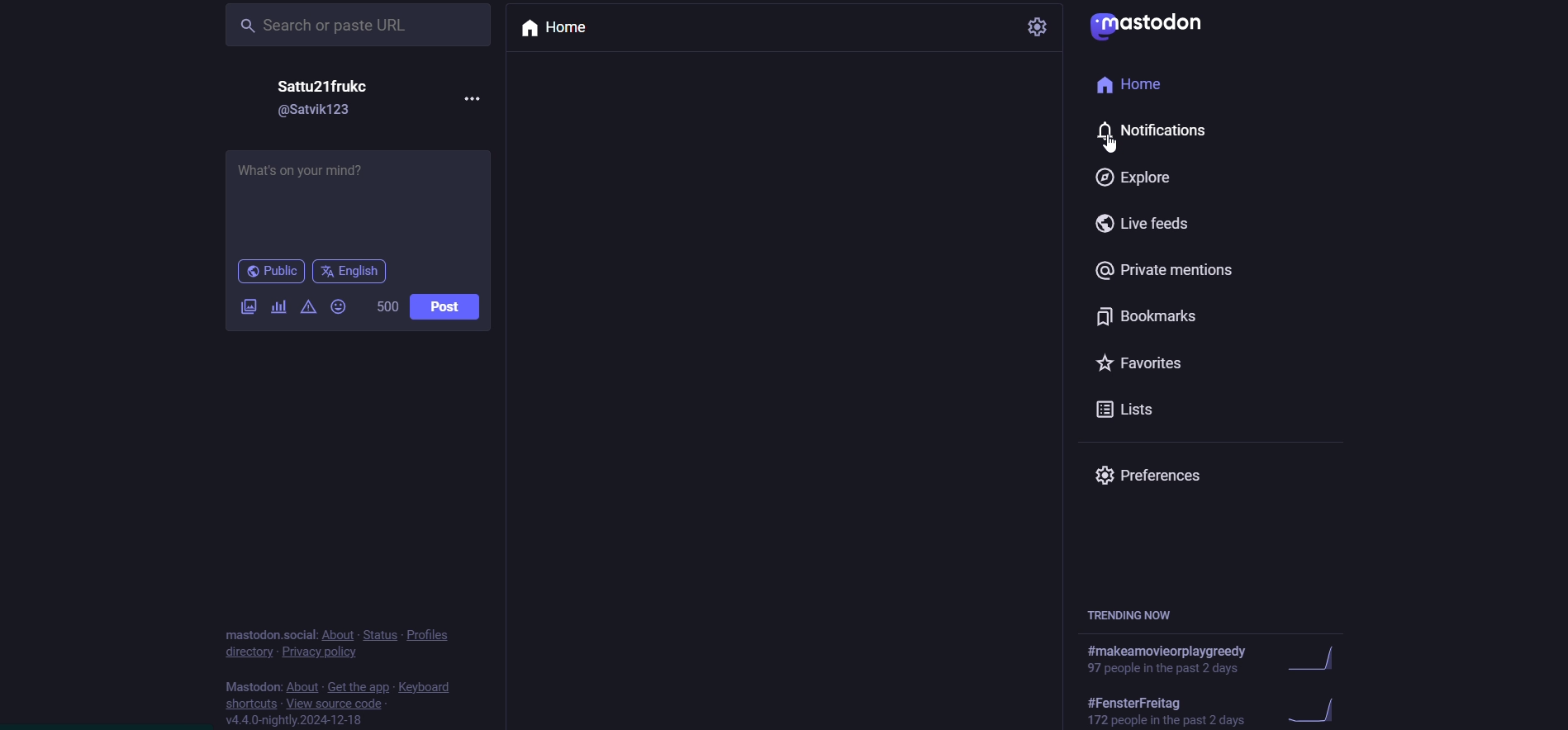  What do you see at coordinates (388, 305) in the screenshot?
I see `500` at bounding box center [388, 305].